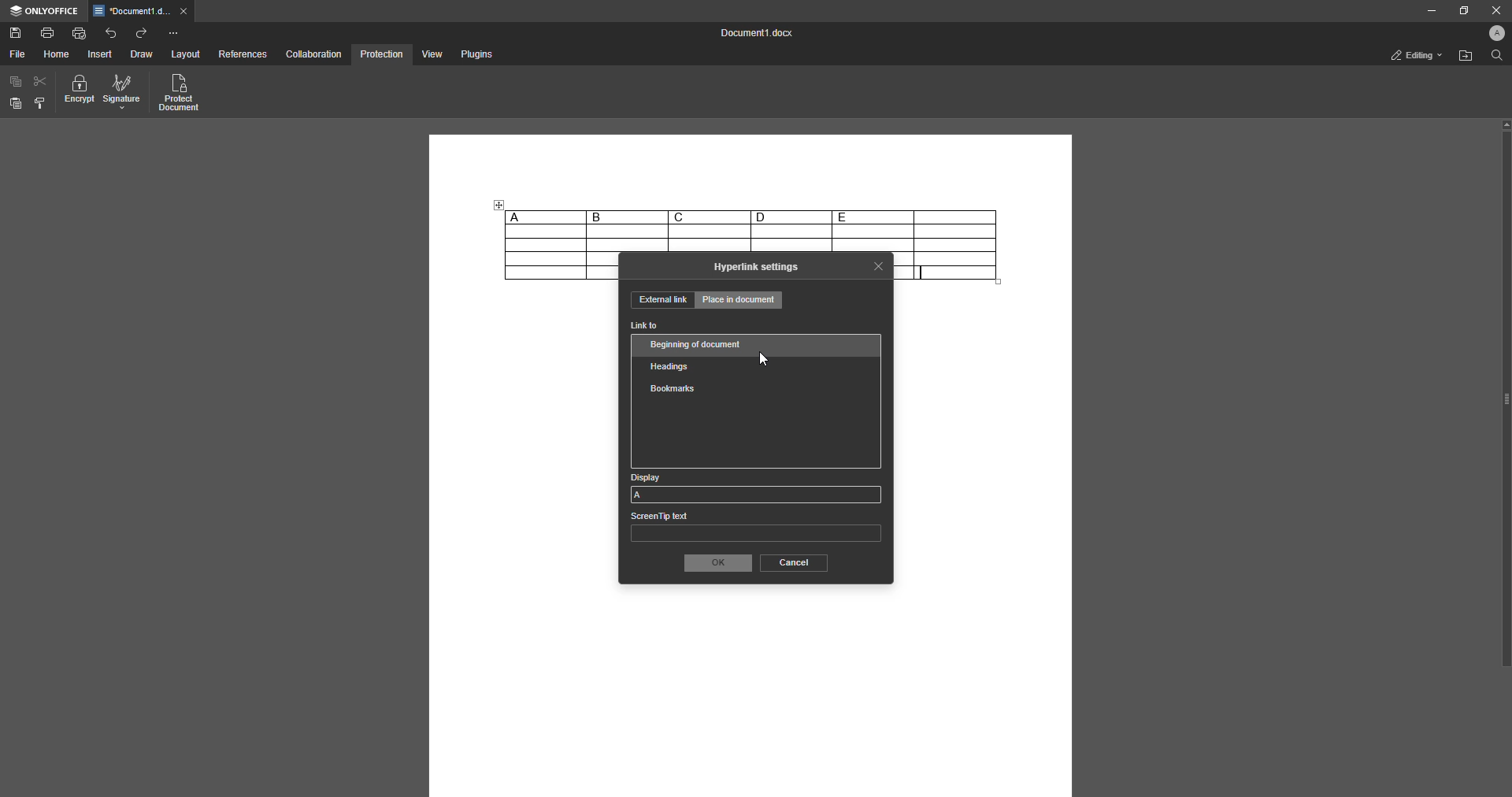 The image size is (1512, 797). What do you see at coordinates (757, 267) in the screenshot?
I see `Hyperlink Settings` at bounding box center [757, 267].